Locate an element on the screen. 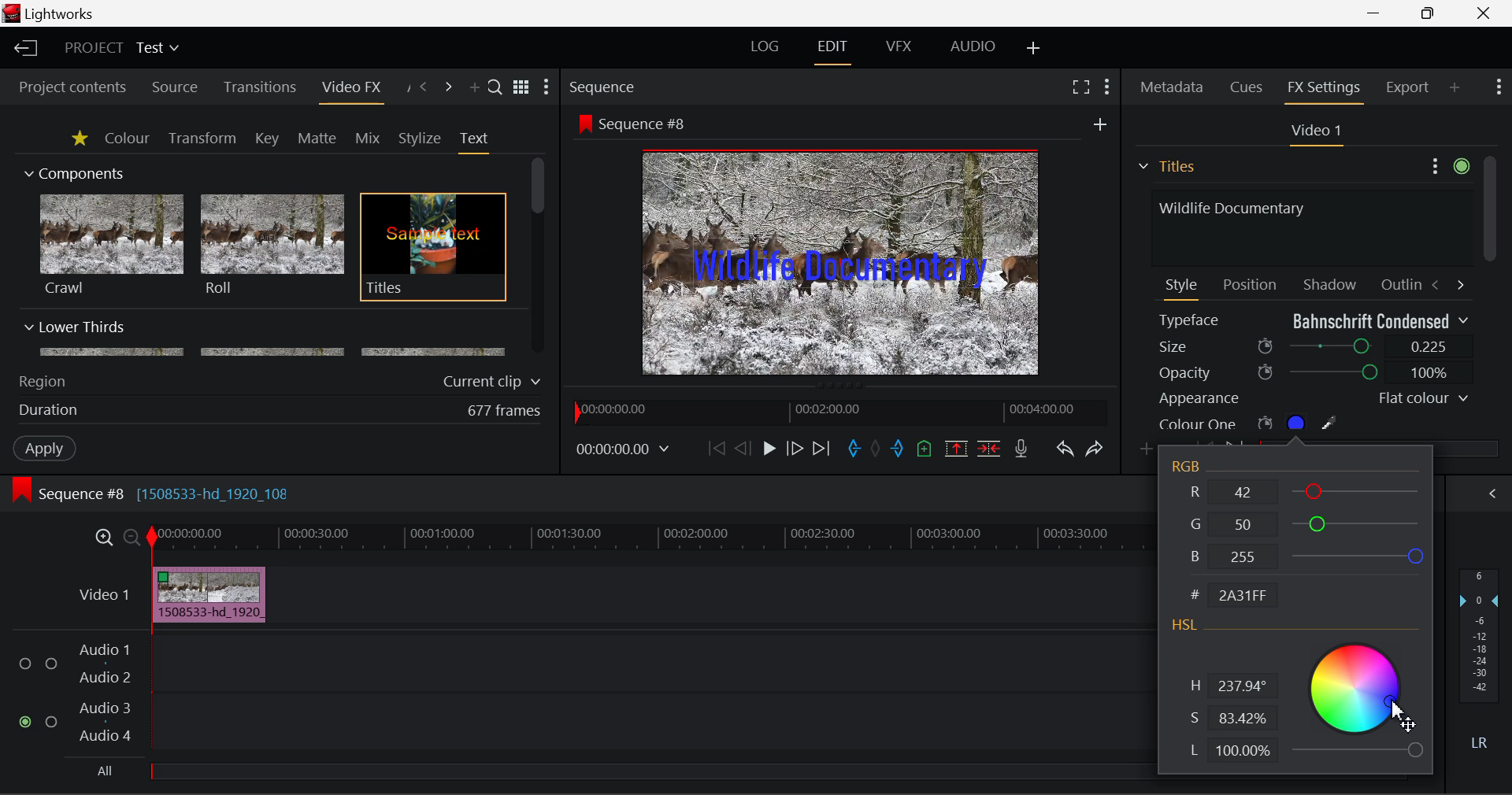 This screenshot has height=795, width=1512. Audio 1 is located at coordinates (102, 652).